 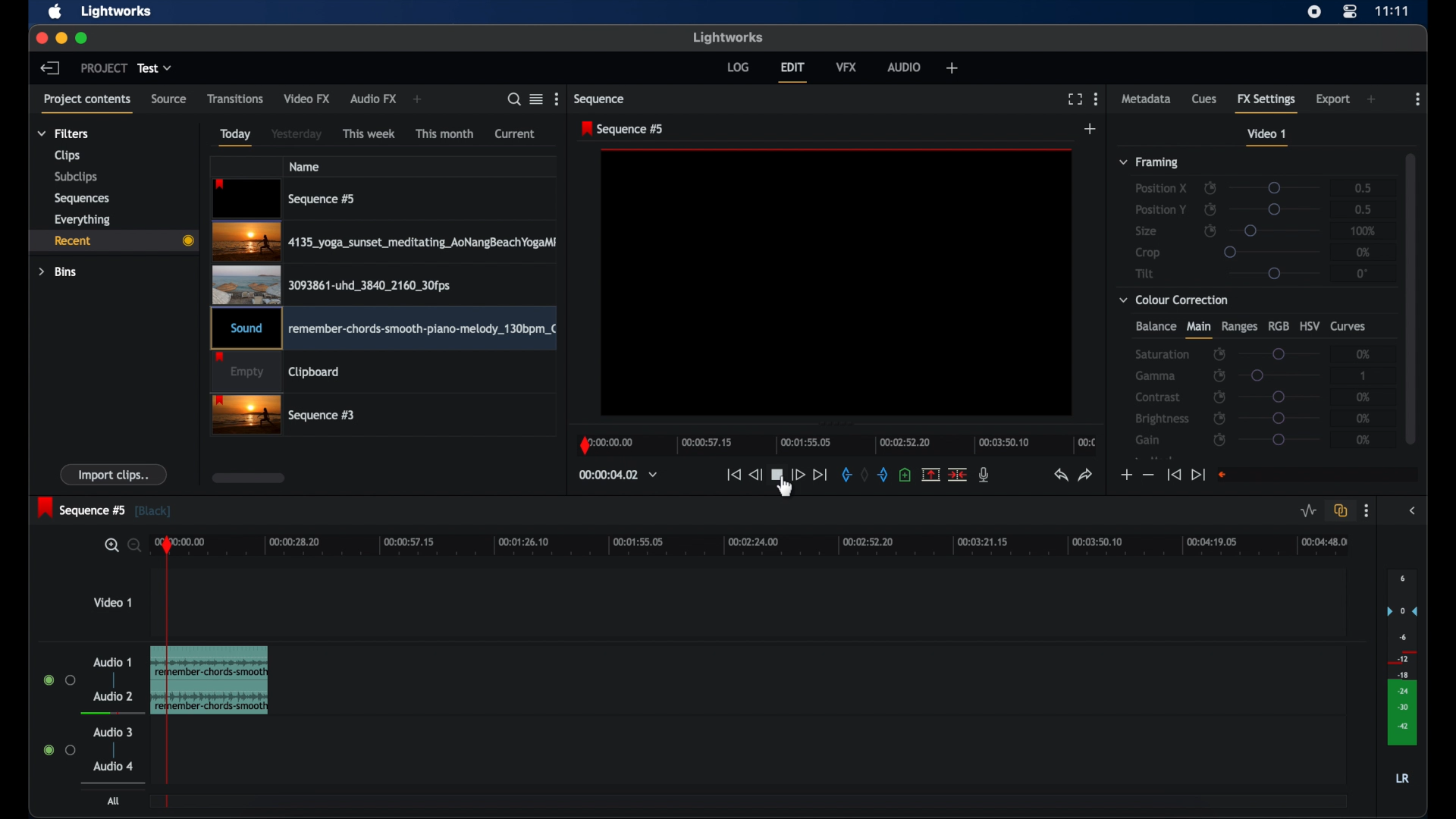 What do you see at coordinates (1341, 510) in the screenshot?
I see `toggle auto track sync` at bounding box center [1341, 510].